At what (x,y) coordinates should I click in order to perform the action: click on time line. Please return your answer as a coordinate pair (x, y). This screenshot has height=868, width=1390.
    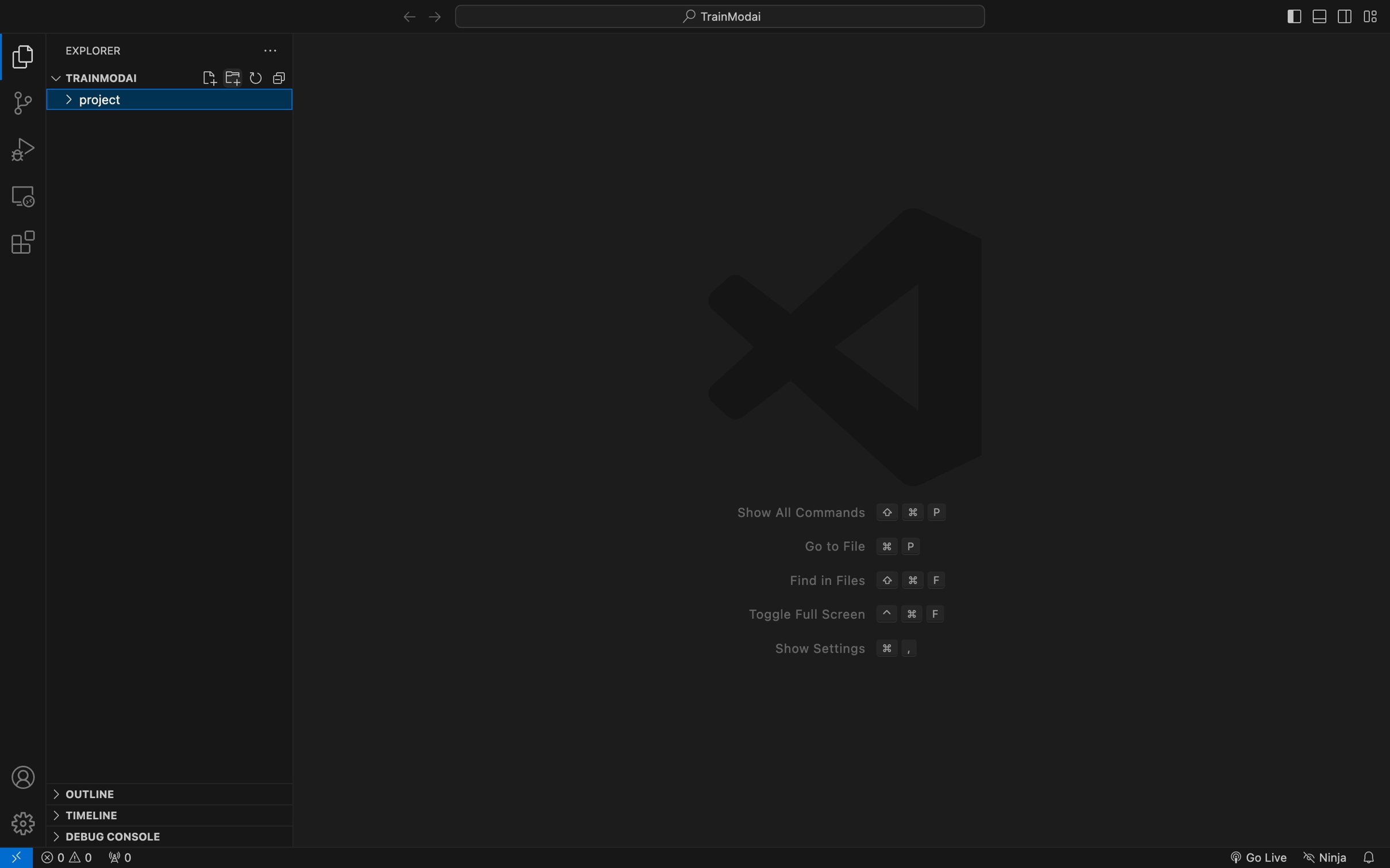
    Looking at the image, I should click on (88, 814).